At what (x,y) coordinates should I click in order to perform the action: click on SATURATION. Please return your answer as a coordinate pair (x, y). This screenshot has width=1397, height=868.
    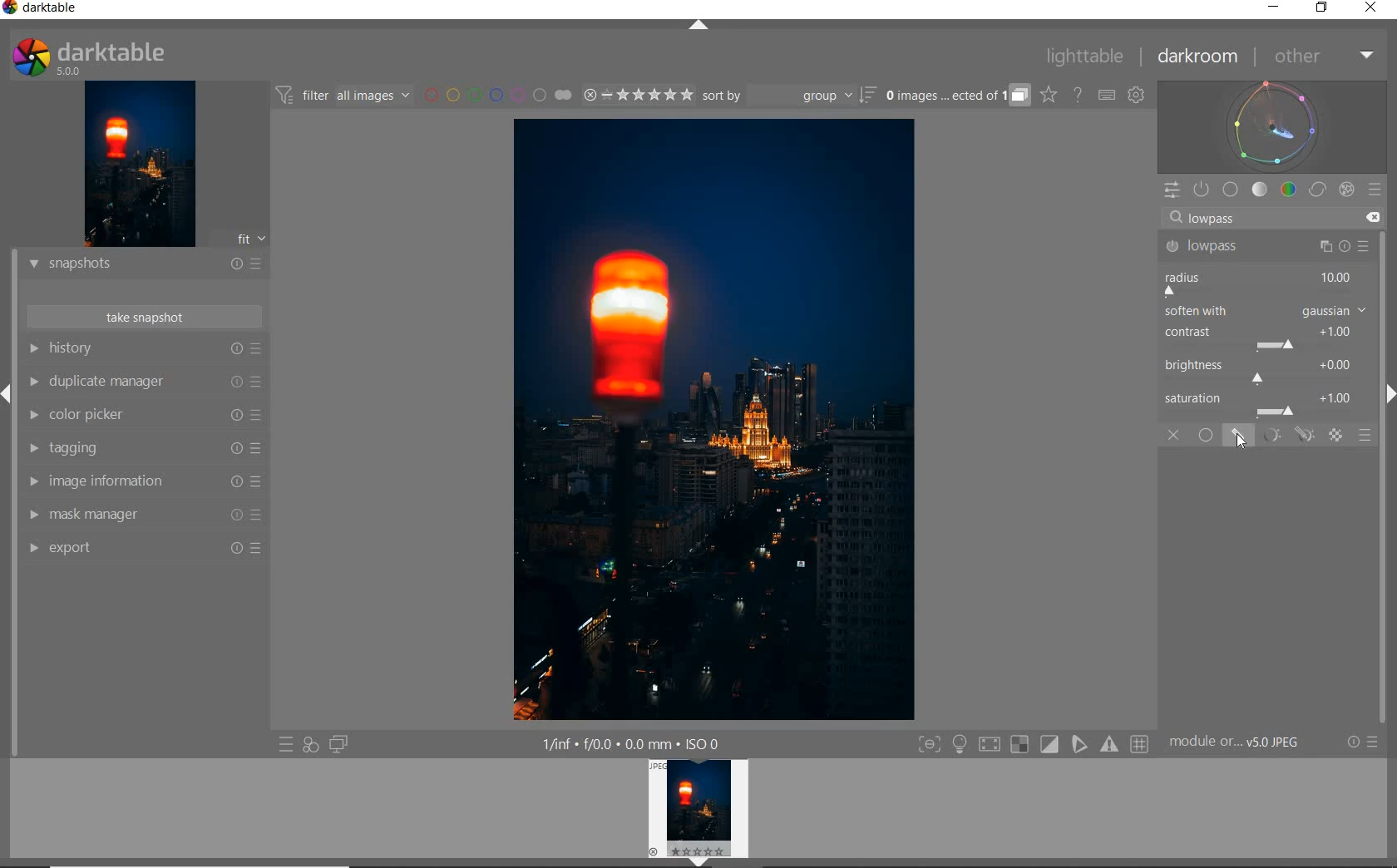
    Looking at the image, I should click on (1266, 403).